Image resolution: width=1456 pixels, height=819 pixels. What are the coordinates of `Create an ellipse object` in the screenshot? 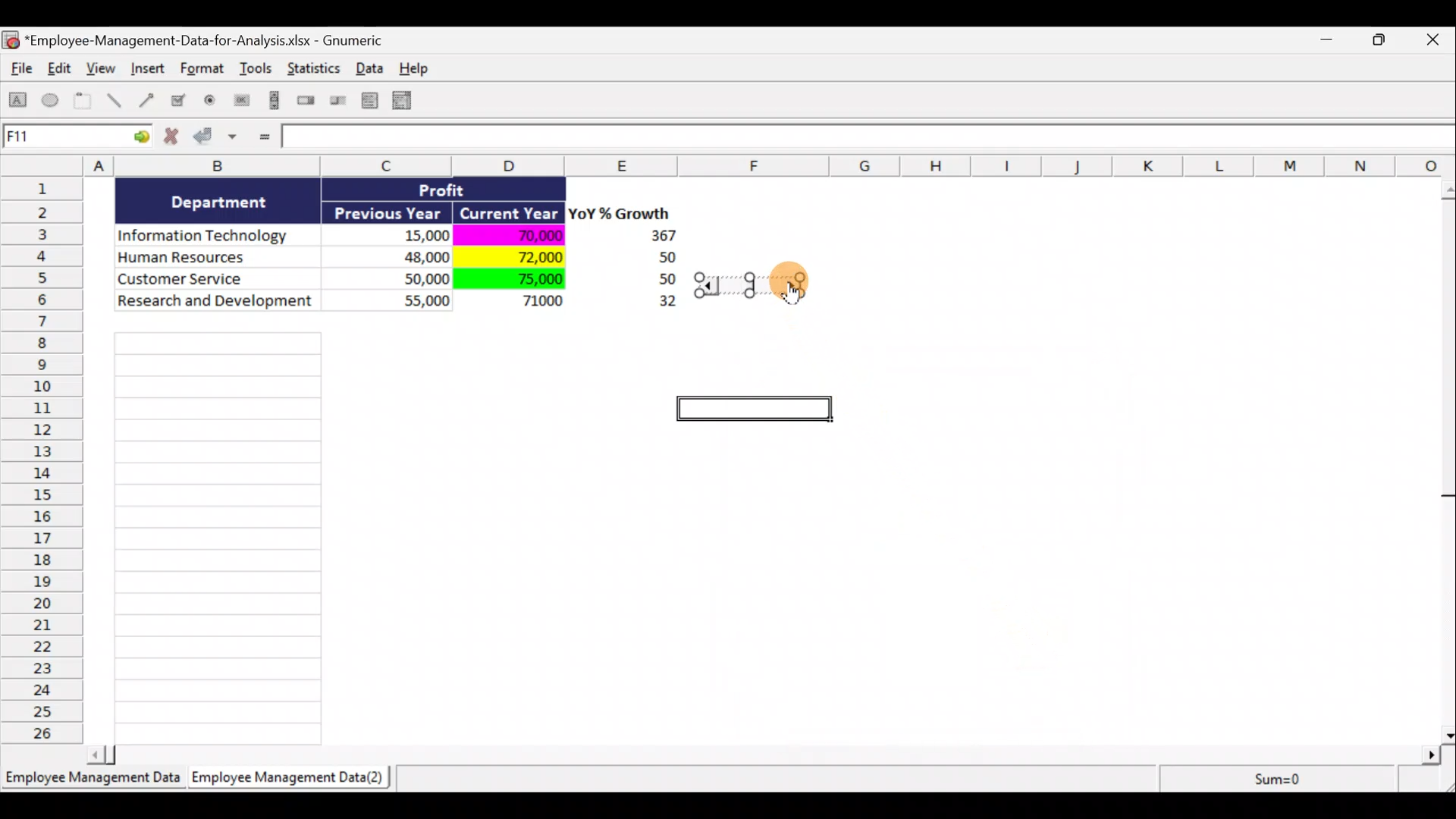 It's located at (51, 101).